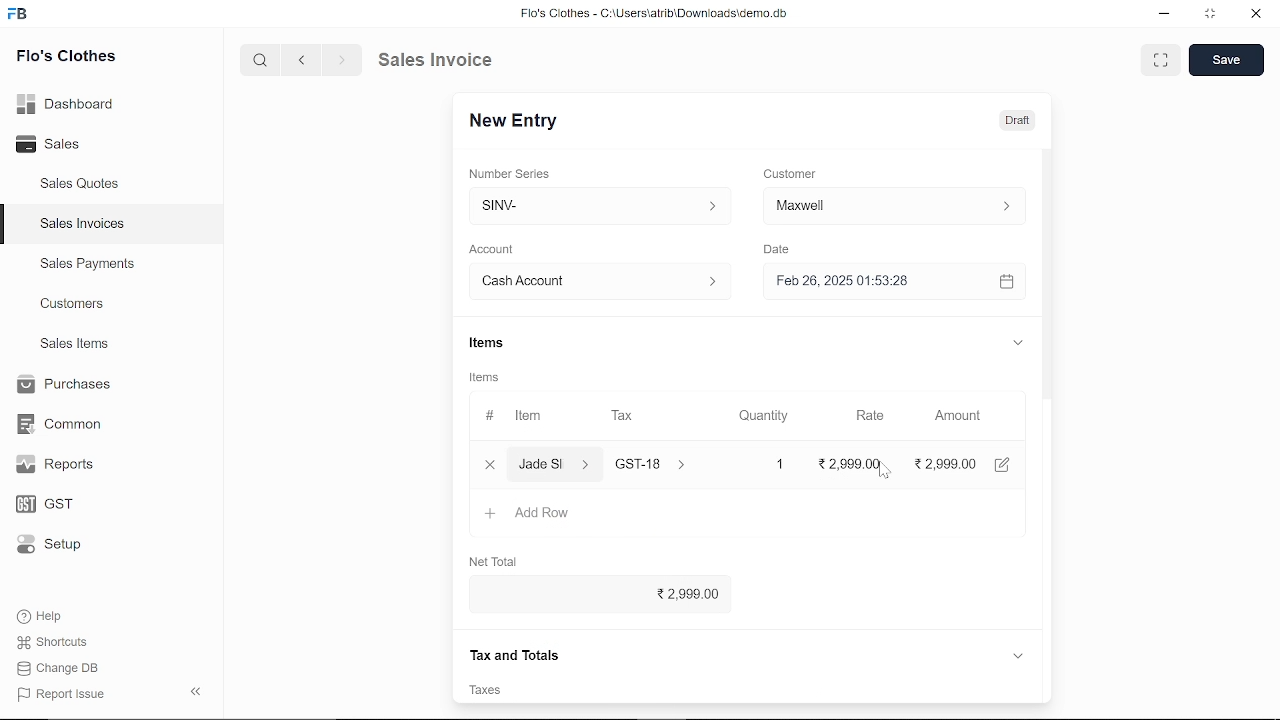 The width and height of the screenshot is (1280, 720). I want to click on Number Series, so click(512, 173).